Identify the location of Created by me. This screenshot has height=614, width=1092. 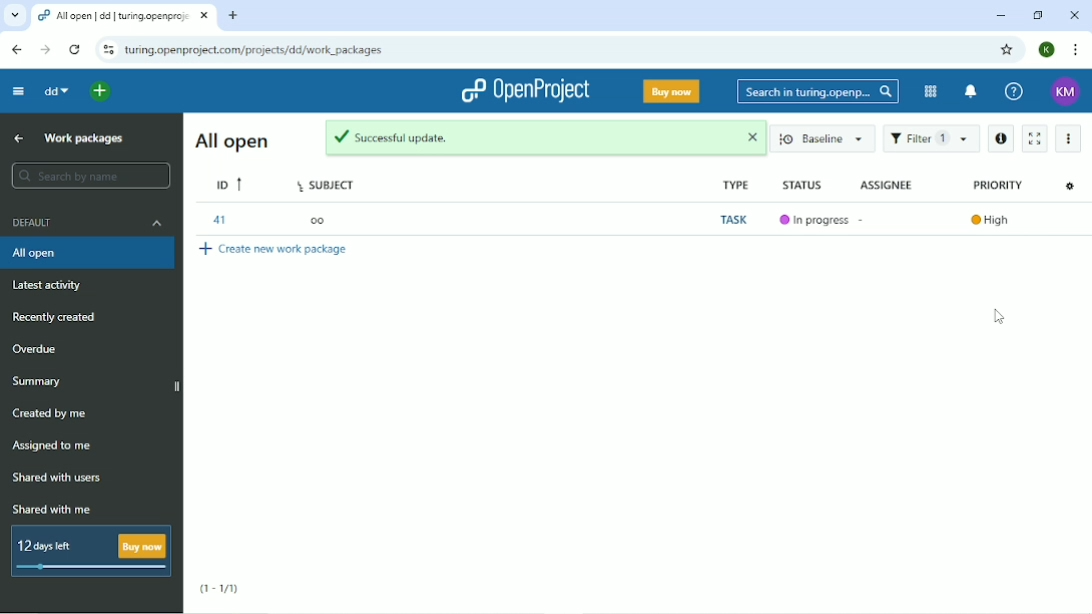
(54, 414).